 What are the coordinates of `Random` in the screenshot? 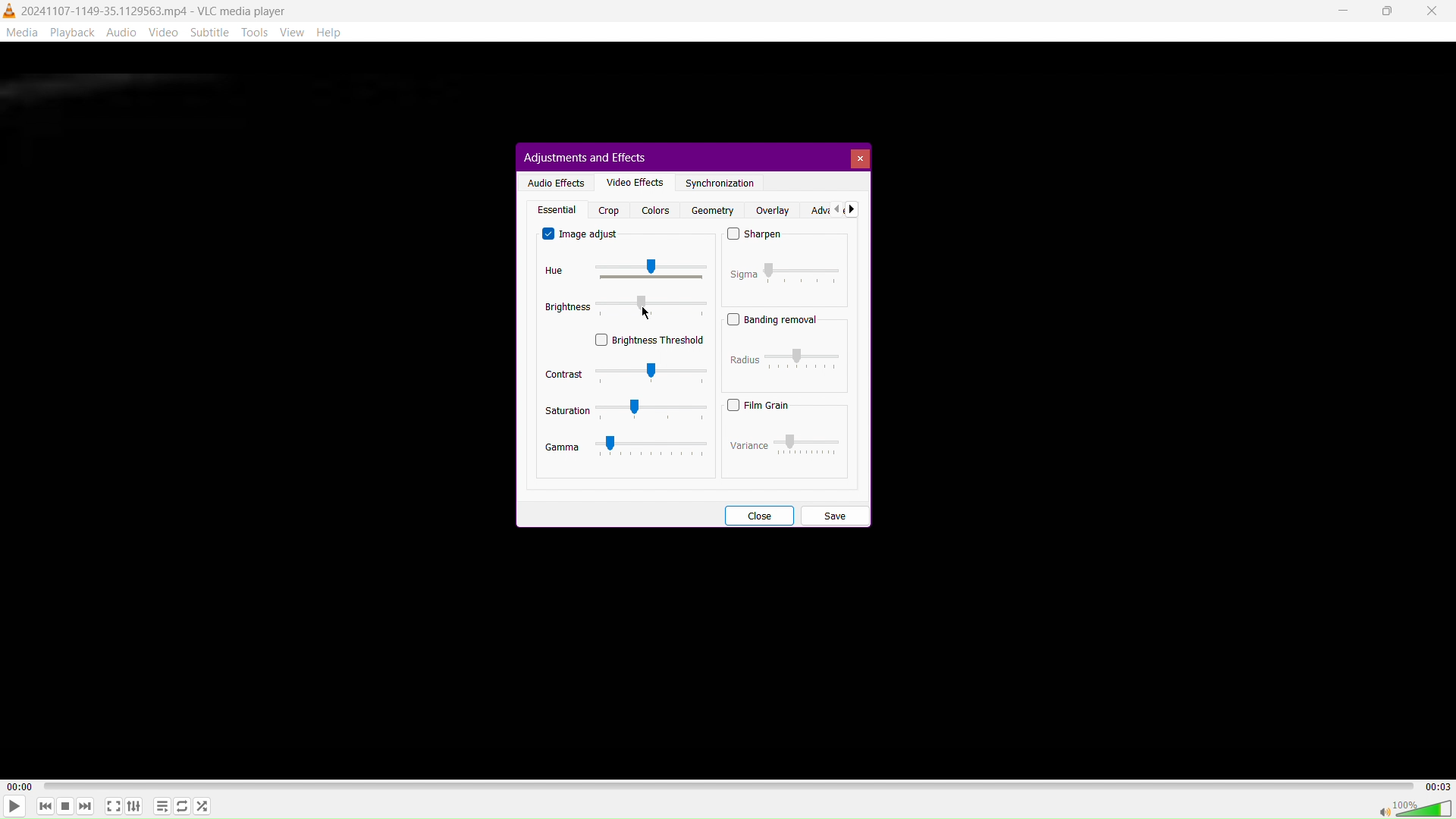 It's located at (202, 805).